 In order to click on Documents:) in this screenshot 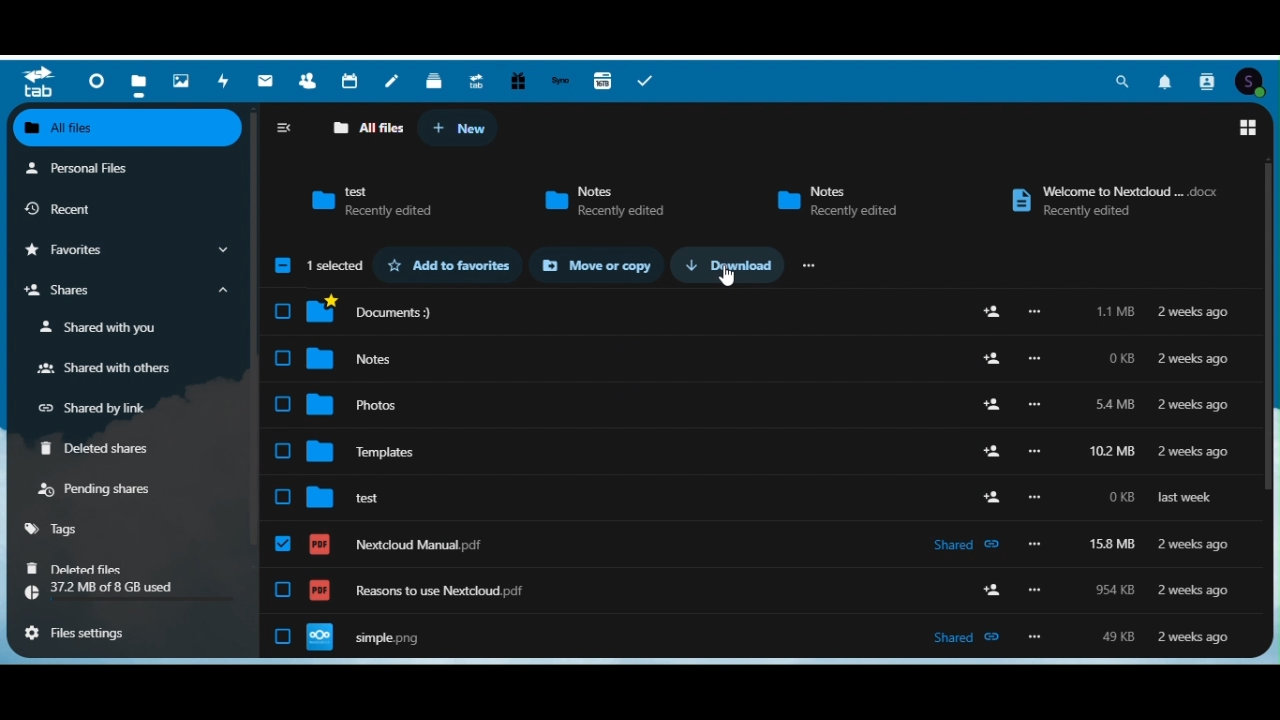, I will do `click(760, 311)`.